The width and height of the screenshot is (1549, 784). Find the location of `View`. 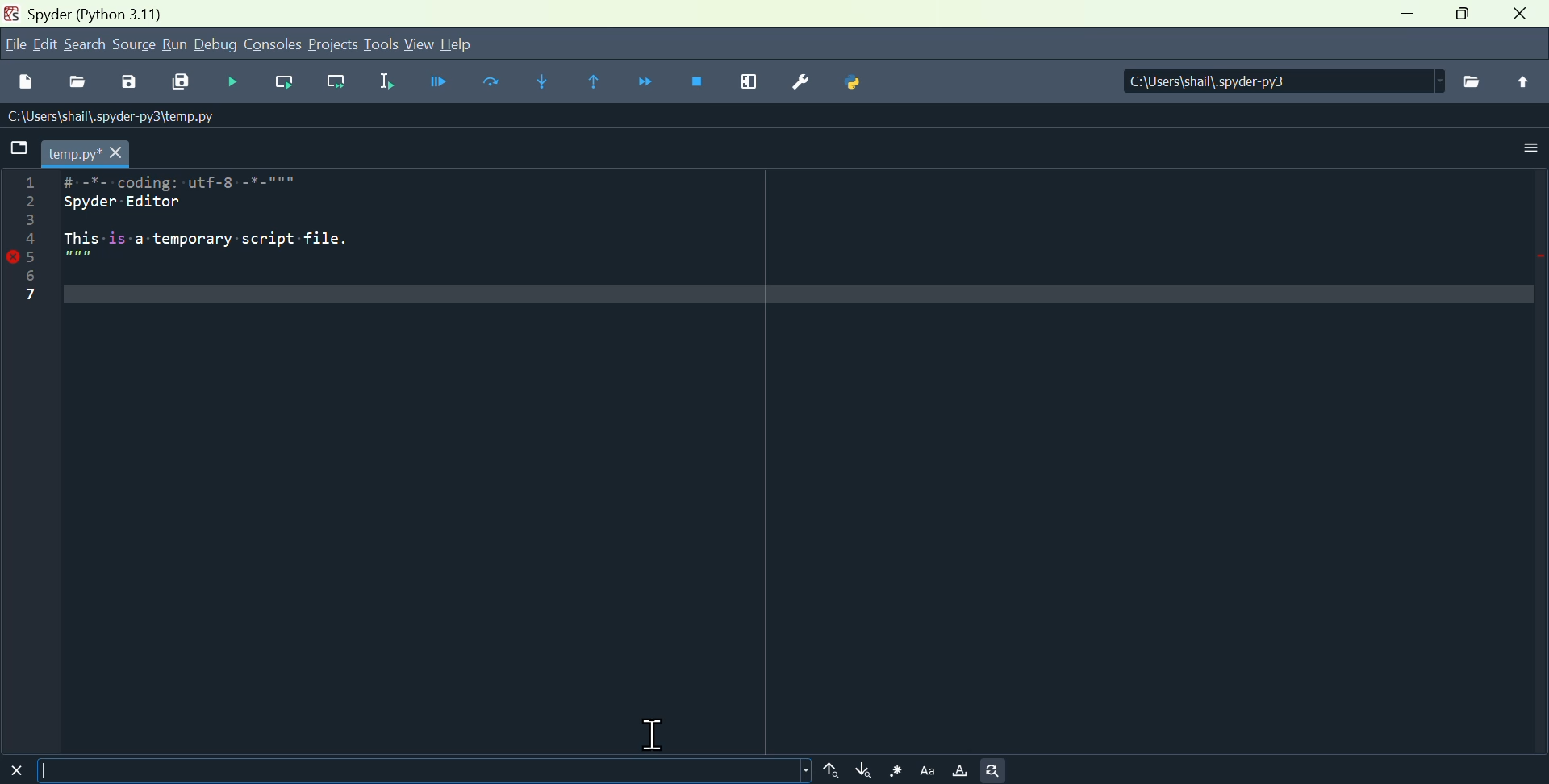

View is located at coordinates (419, 44).